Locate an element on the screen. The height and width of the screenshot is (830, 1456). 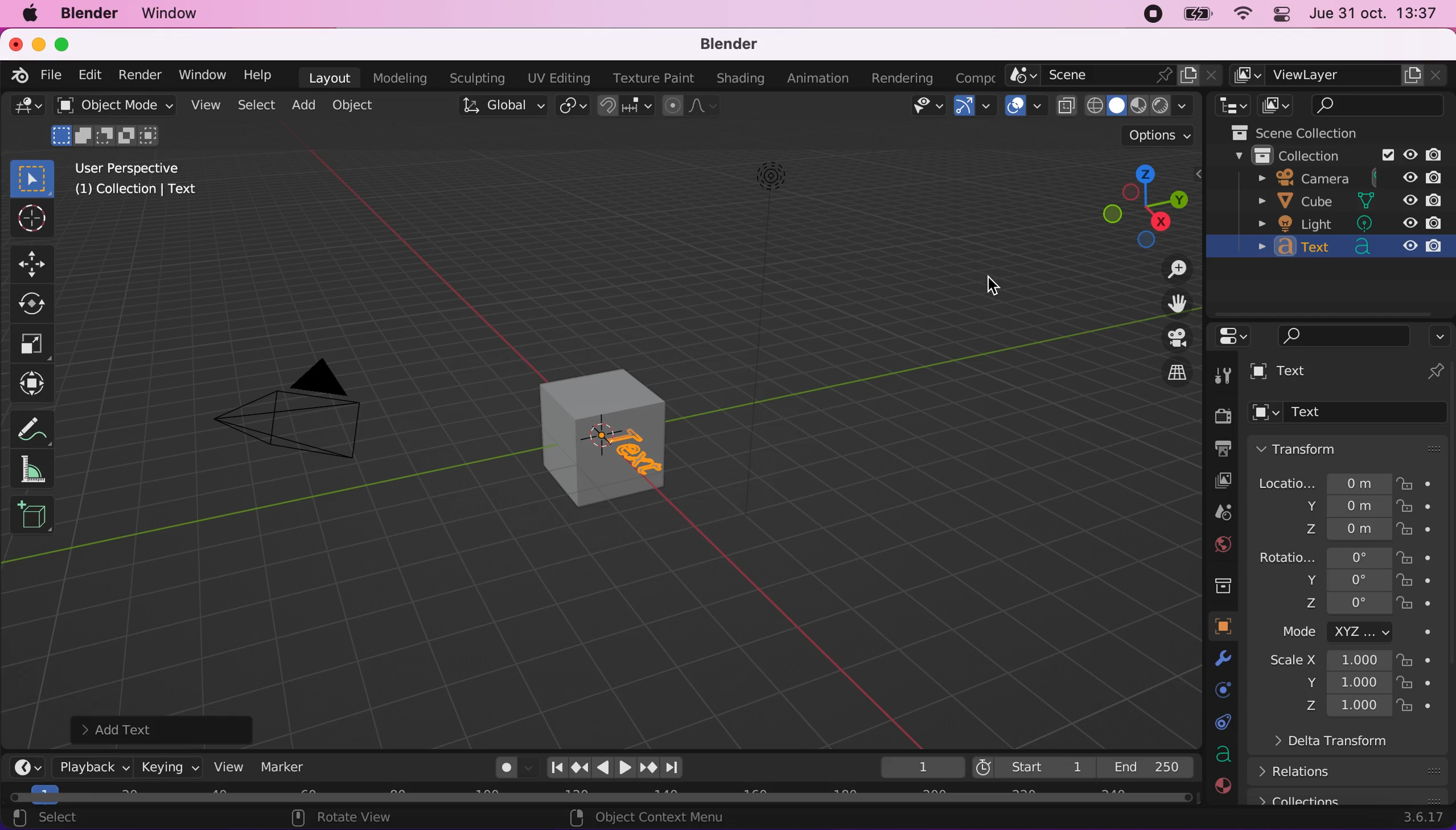
object mode is located at coordinates (111, 125).